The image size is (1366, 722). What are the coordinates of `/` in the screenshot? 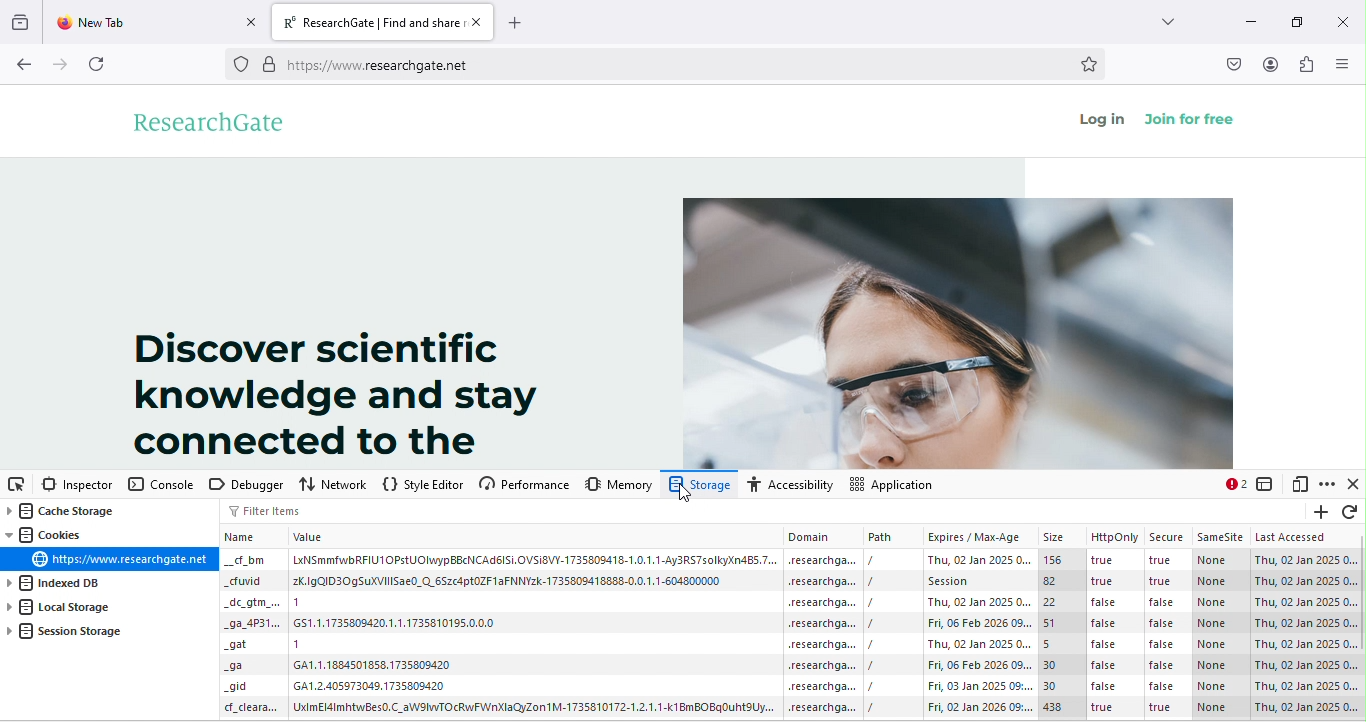 It's located at (873, 624).